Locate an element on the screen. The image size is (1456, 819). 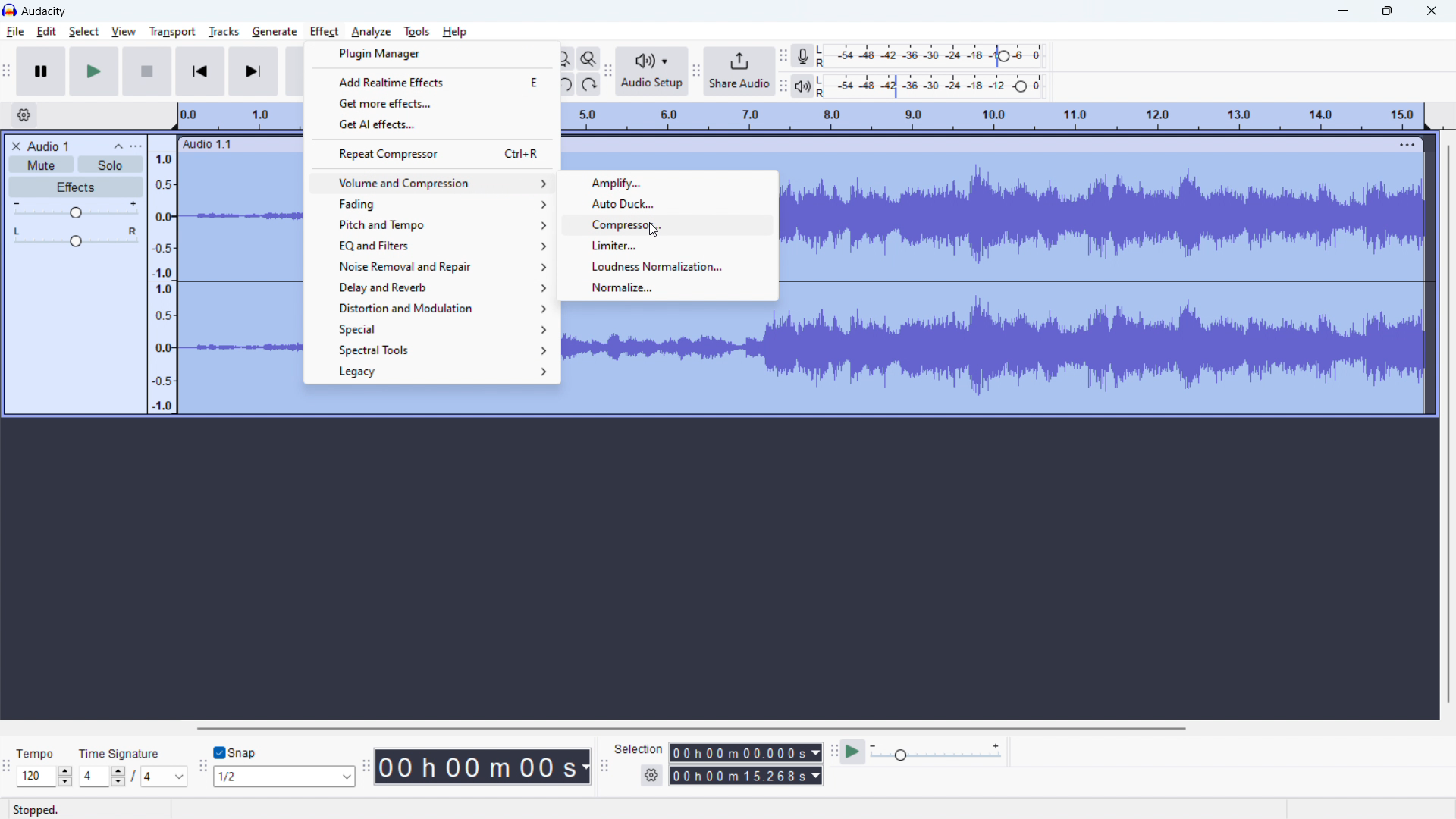
cursor is located at coordinates (654, 231).